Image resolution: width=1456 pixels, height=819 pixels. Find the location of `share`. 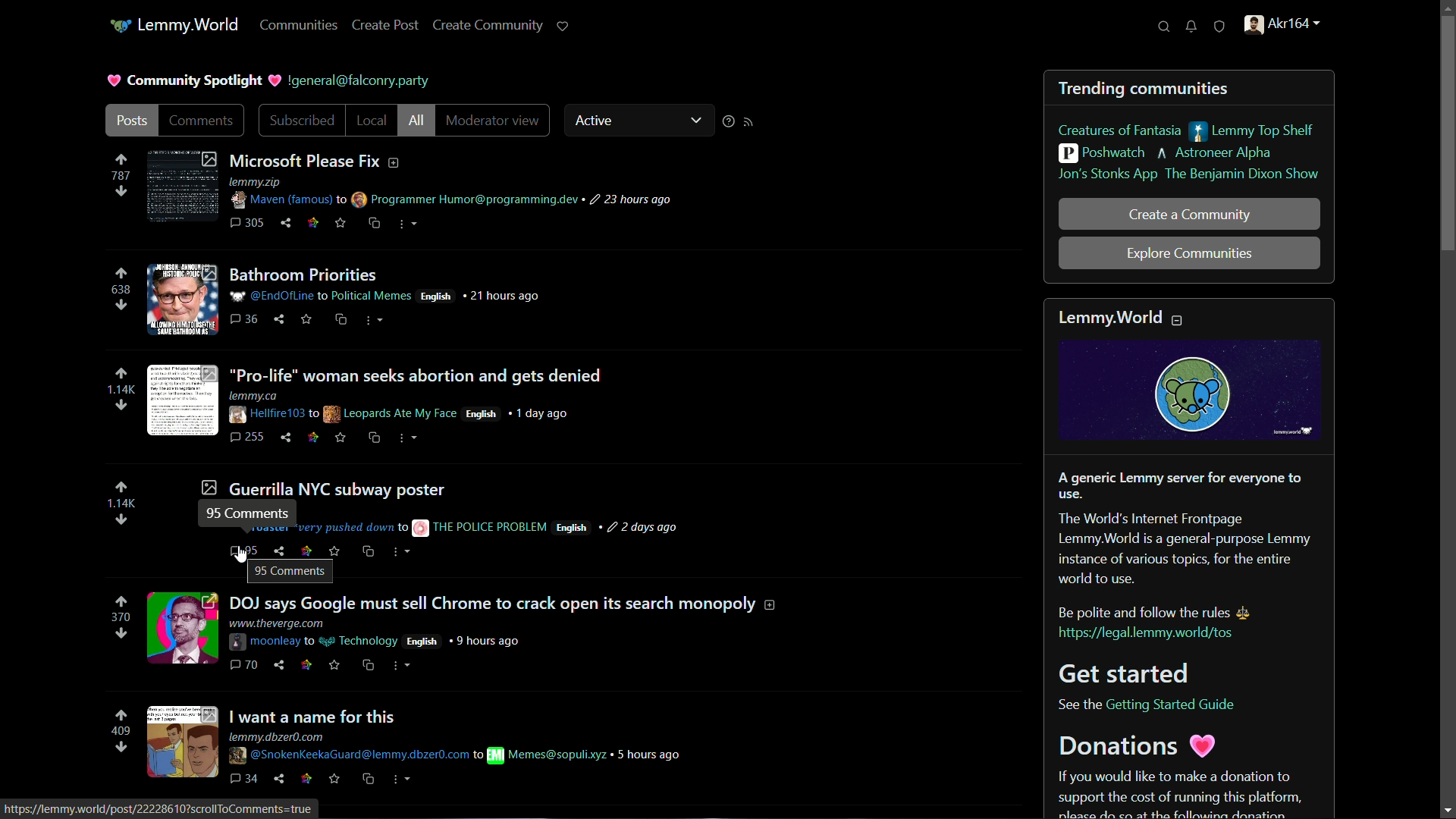

share is located at coordinates (289, 436).